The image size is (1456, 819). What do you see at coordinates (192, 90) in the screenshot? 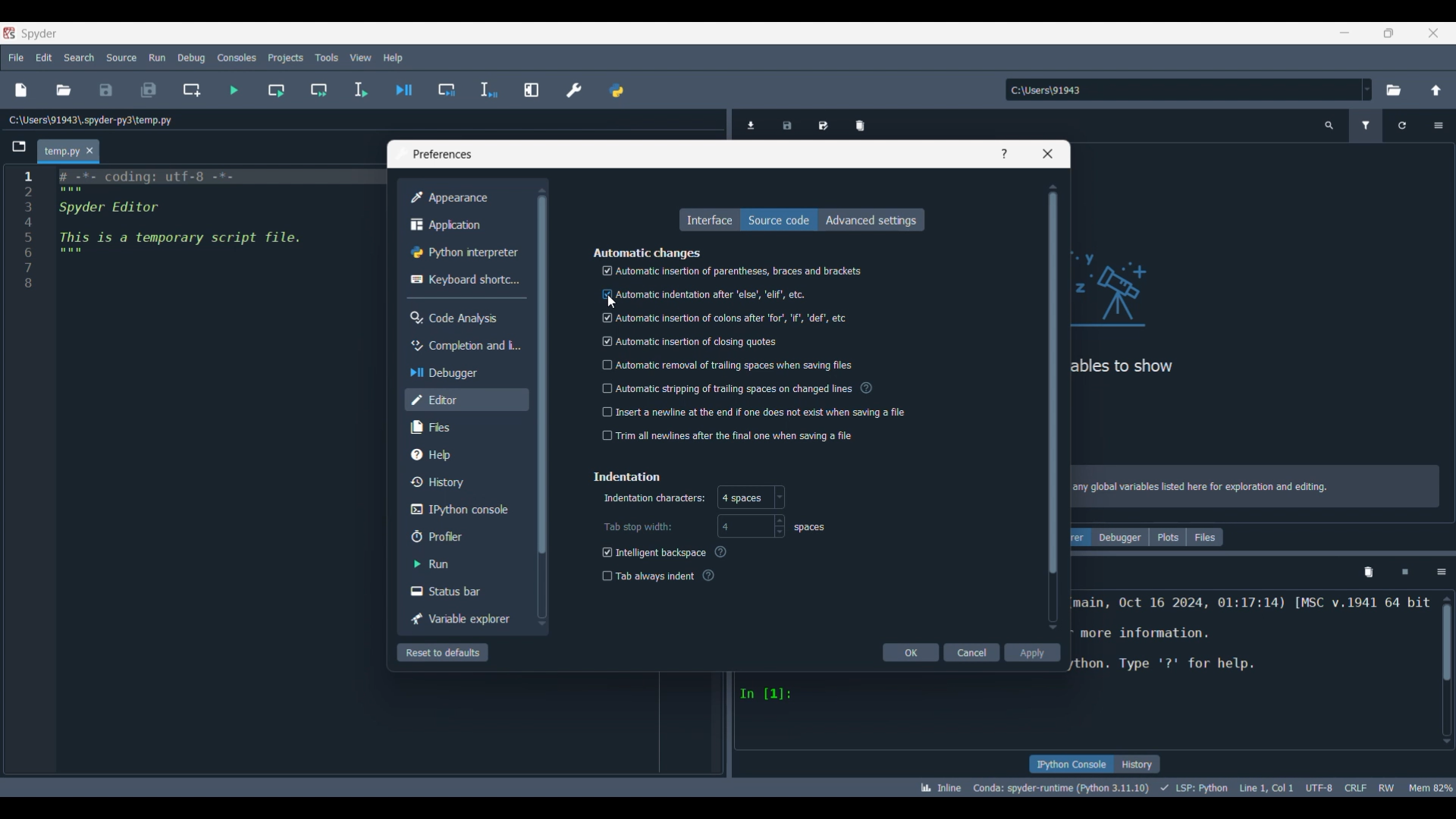
I see `Create new cell at current line` at bounding box center [192, 90].